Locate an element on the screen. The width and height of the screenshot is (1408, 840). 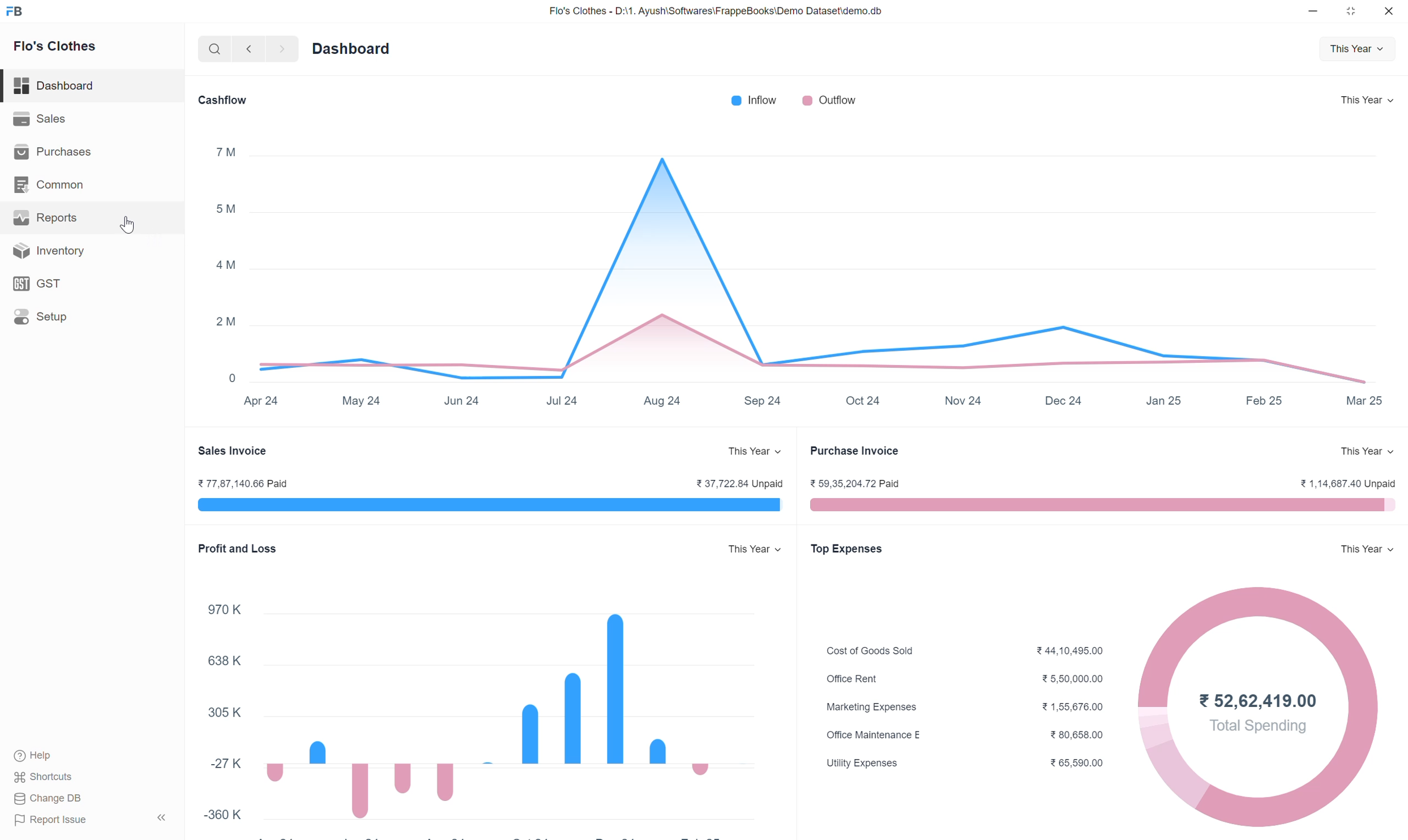
¥44,10,495.00 is located at coordinates (1075, 649).